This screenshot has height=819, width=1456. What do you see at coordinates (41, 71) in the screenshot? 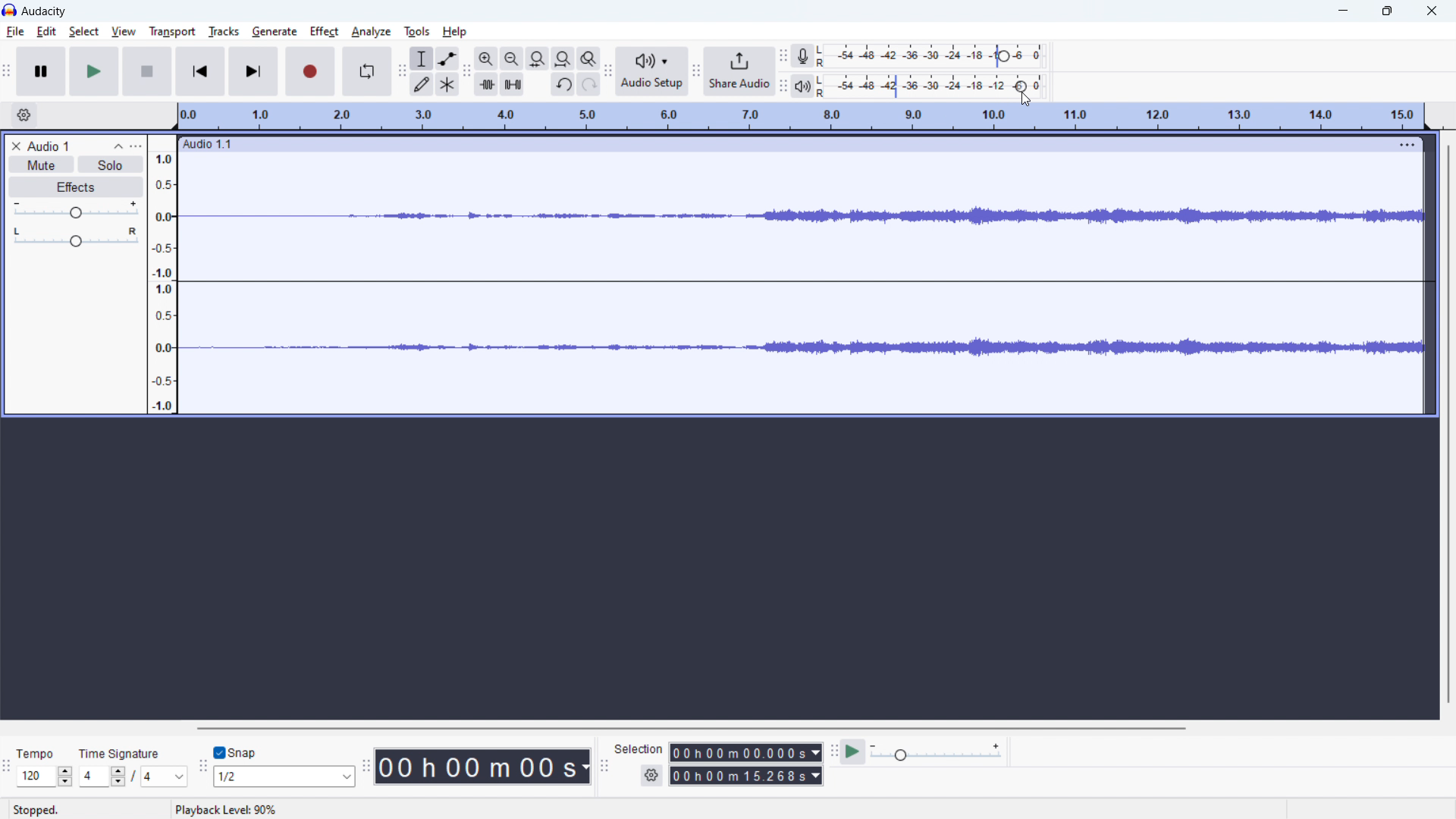
I see `pause` at bounding box center [41, 71].